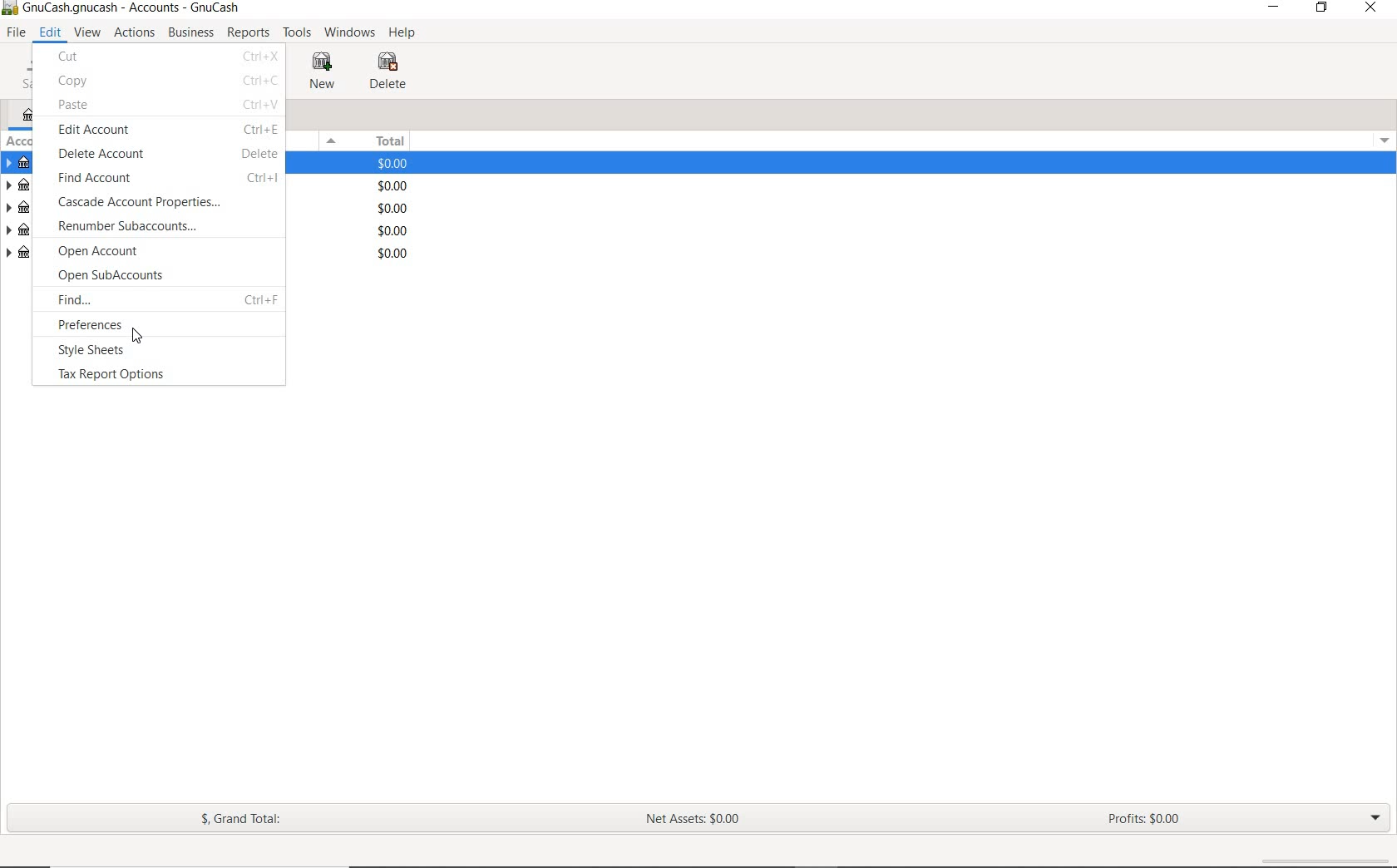 The width and height of the screenshot is (1397, 868). I want to click on DELETE, so click(390, 74).